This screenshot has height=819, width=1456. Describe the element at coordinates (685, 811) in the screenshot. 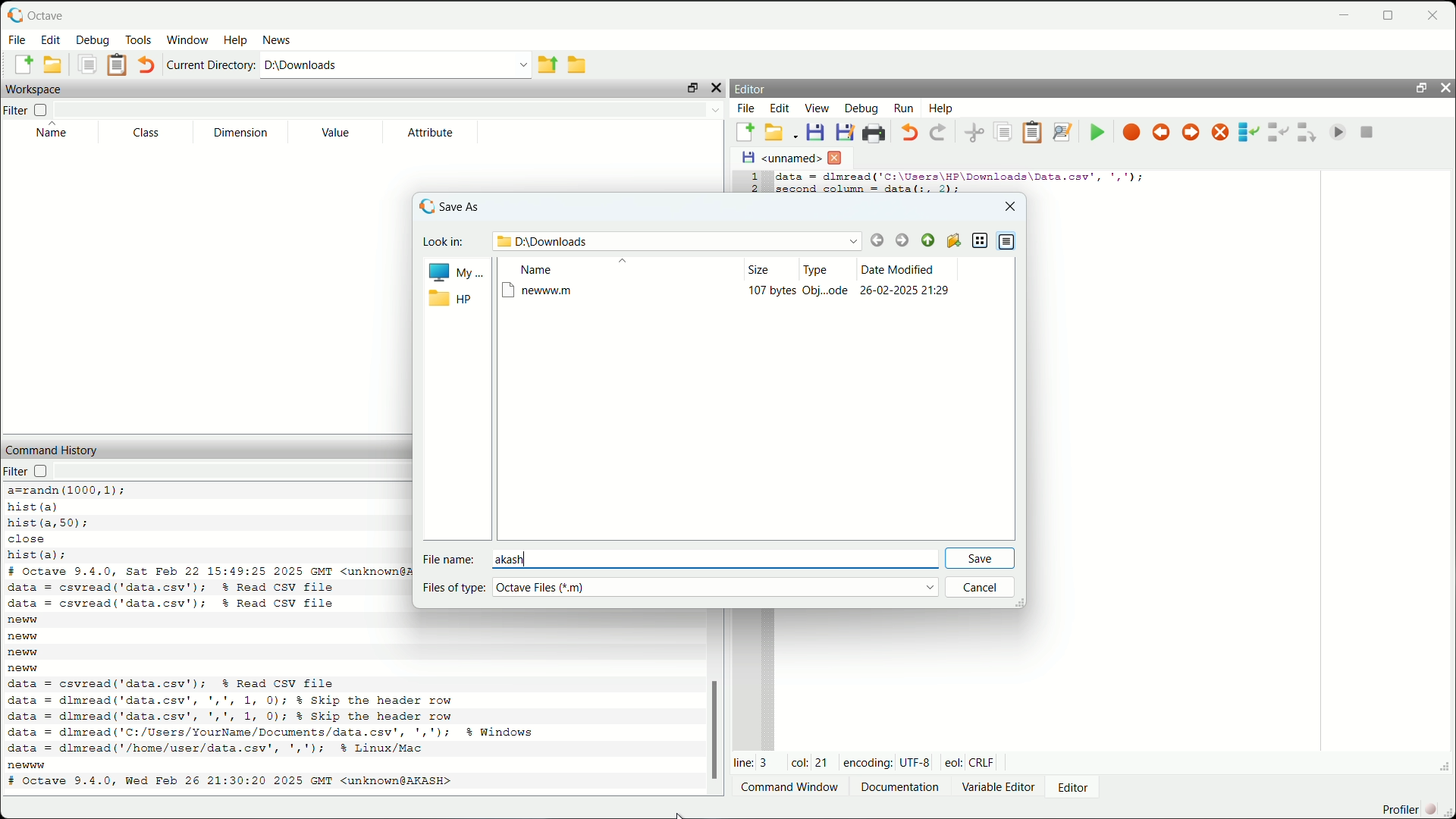

I see `cursor` at that location.